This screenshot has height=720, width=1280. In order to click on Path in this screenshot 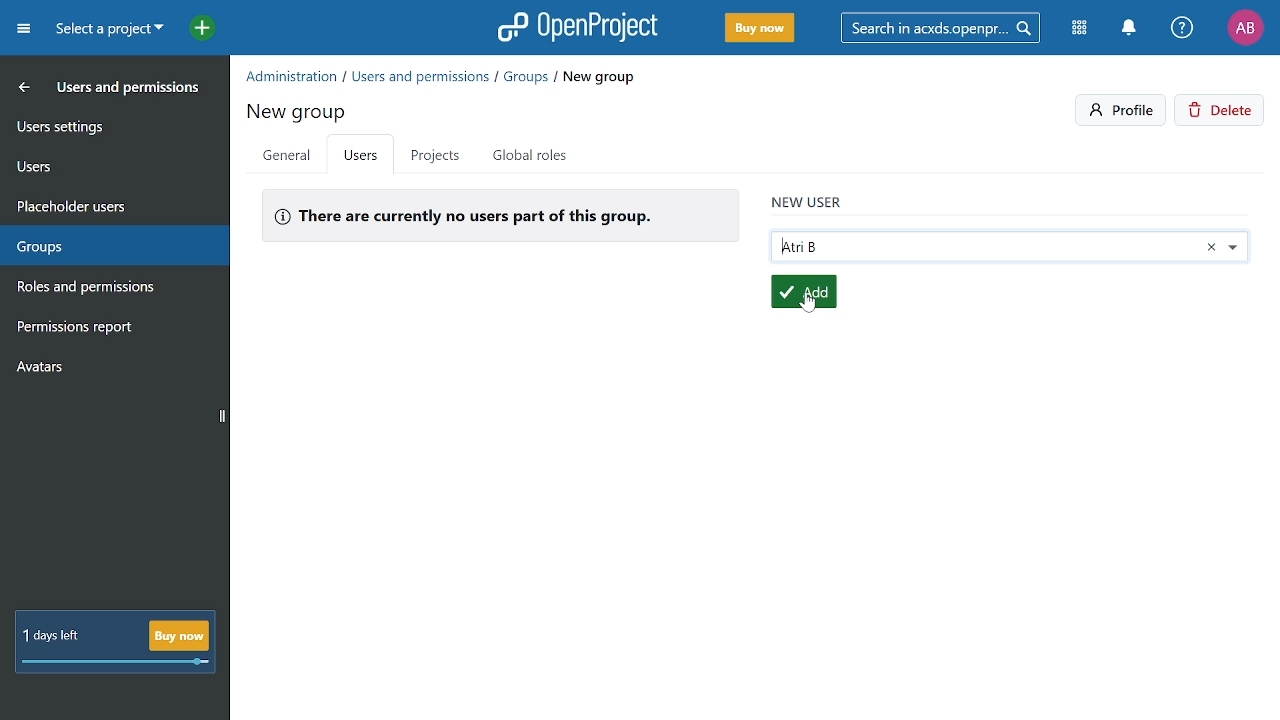, I will do `click(442, 75)`.